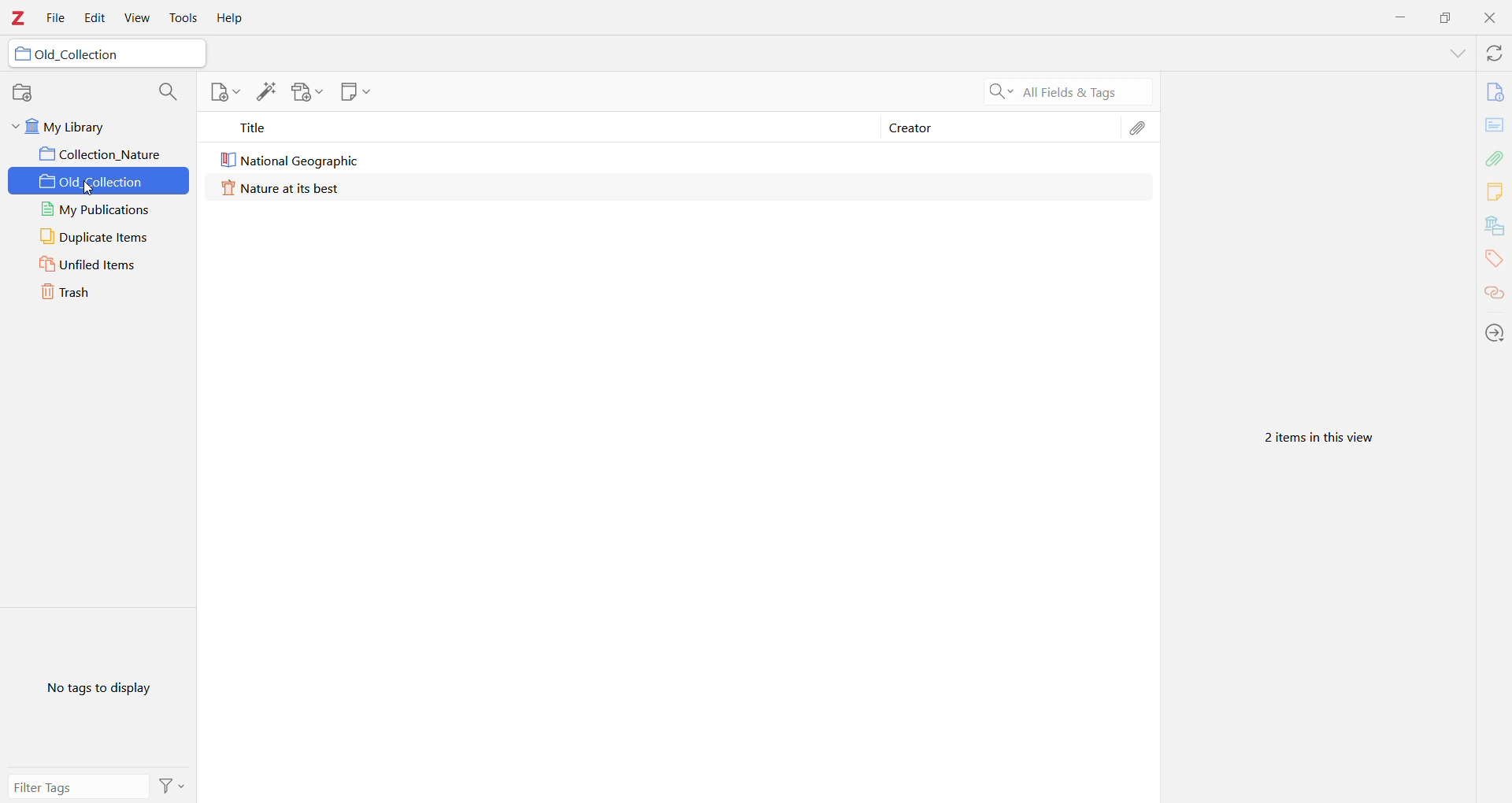 The height and width of the screenshot is (803, 1512). What do you see at coordinates (222, 94) in the screenshot?
I see `New Item` at bounding box center [222, 94].